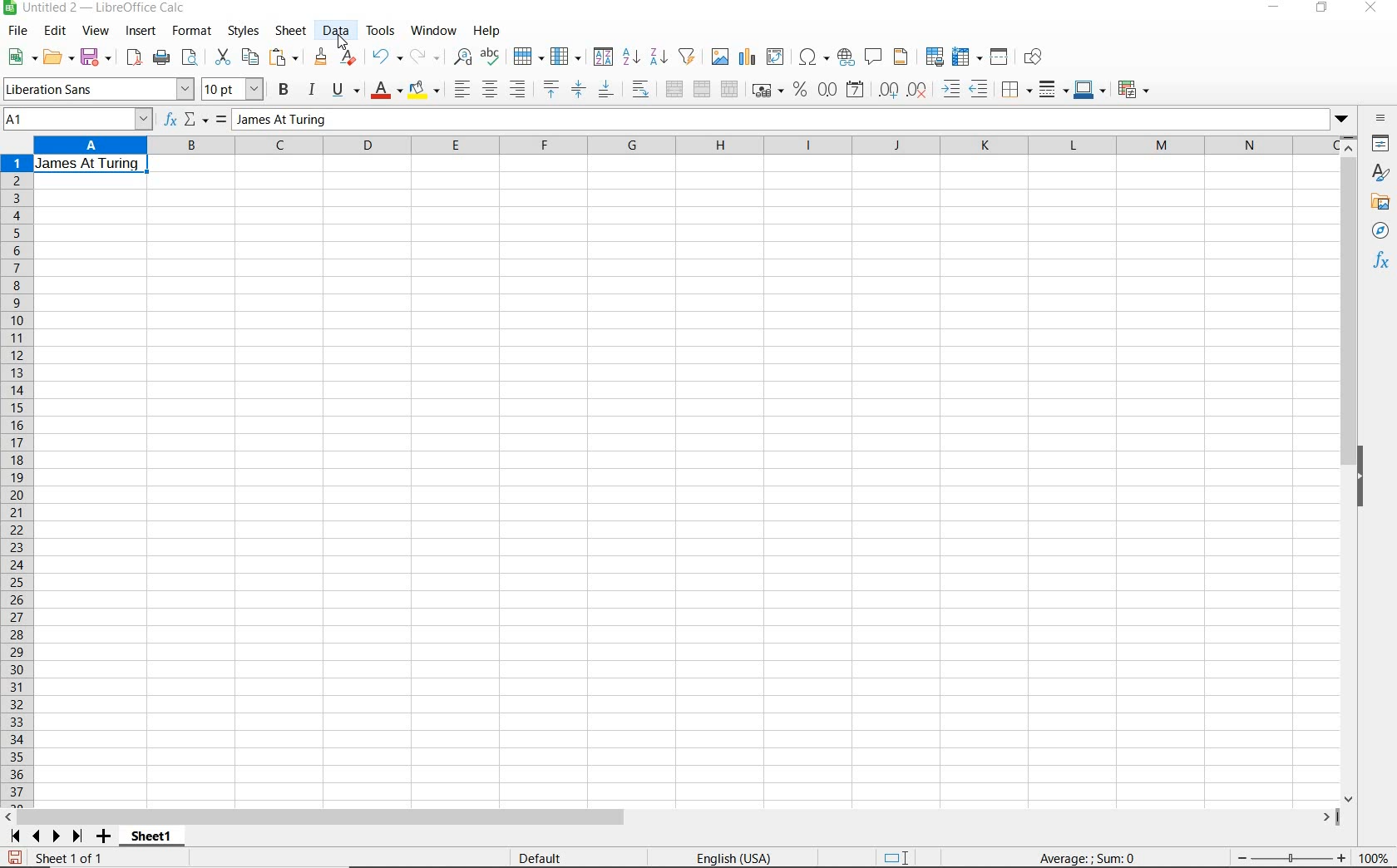  Describe the element at coordinates (381, 30) in the screenshot. I see `tools` at that location.